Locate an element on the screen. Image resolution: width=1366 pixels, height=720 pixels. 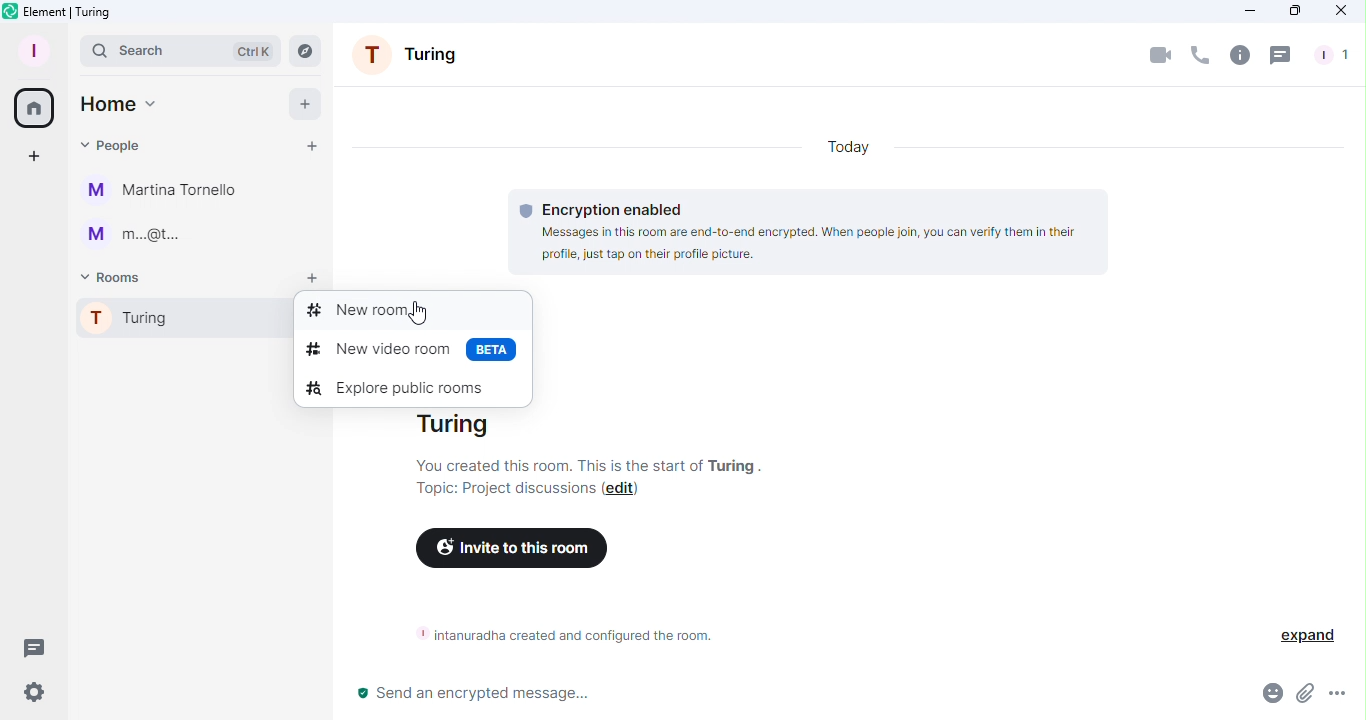
Topic is located at coordinates (501, 489).